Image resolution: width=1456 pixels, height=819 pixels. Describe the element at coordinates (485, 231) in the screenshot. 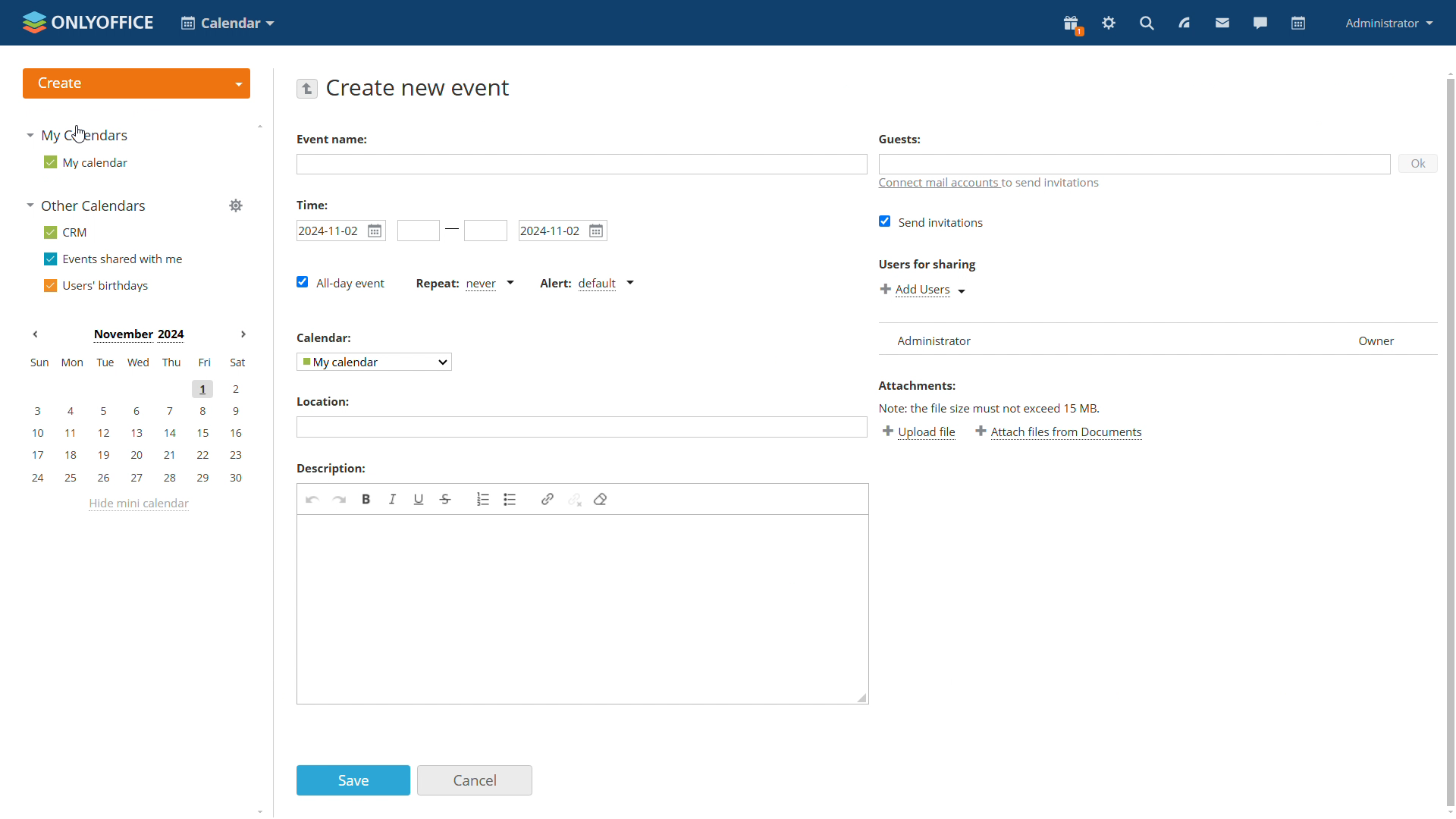

I see `event end time` at that location.